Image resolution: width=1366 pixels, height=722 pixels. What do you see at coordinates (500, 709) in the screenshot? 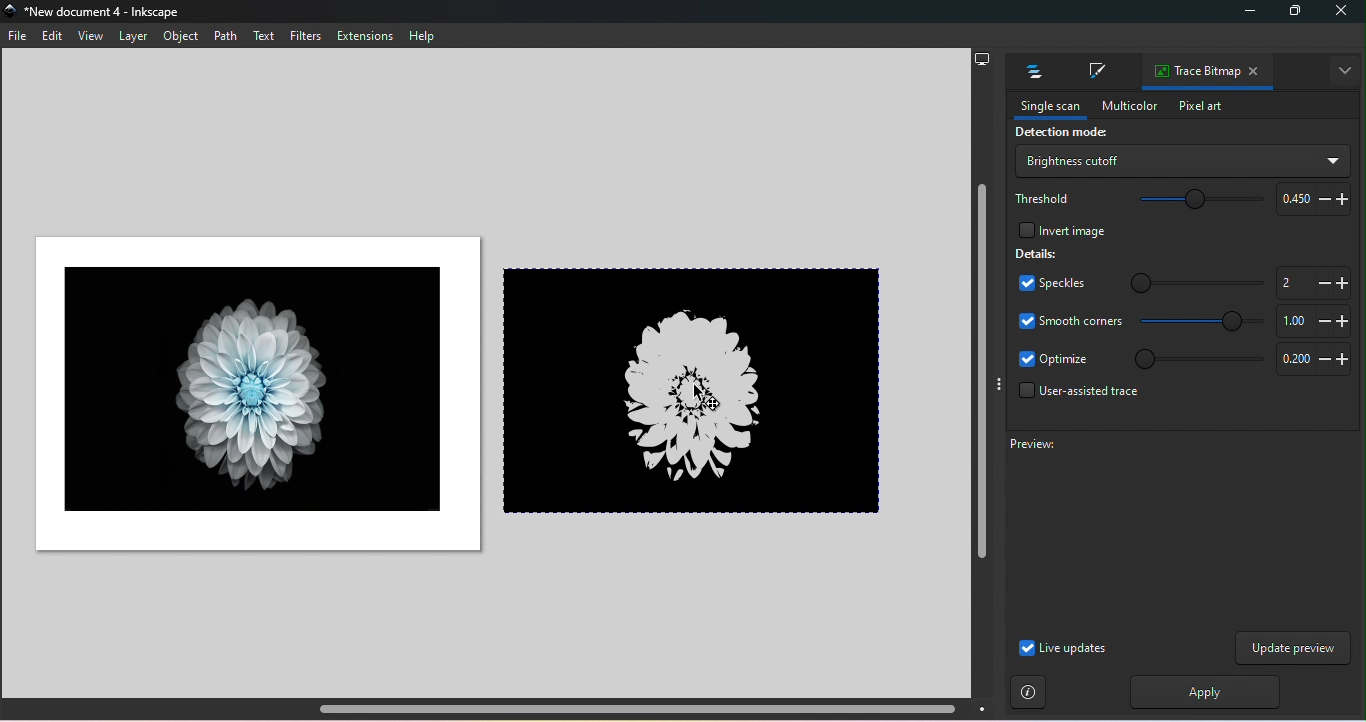
I see `Horizontal scroll bar` at bounding box center [500, 709].